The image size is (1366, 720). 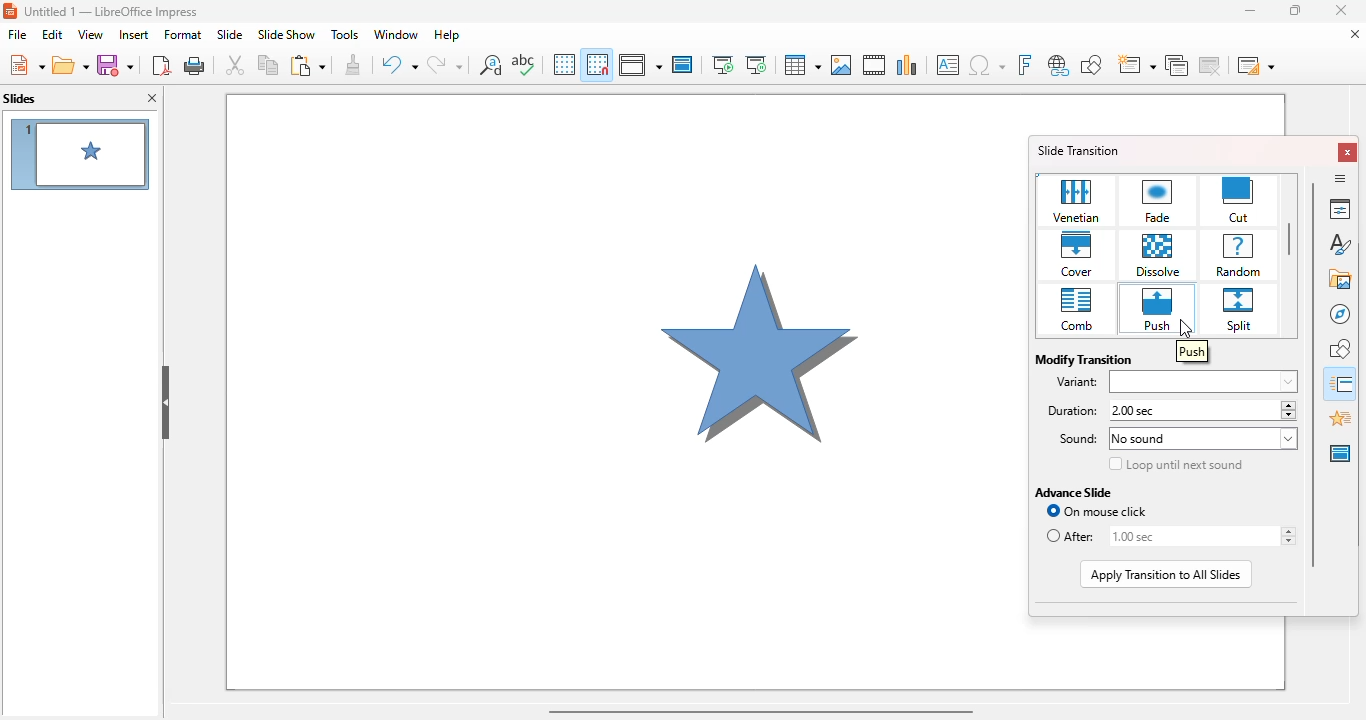 I want to click on insert special characters, so click(x=987, y=65).